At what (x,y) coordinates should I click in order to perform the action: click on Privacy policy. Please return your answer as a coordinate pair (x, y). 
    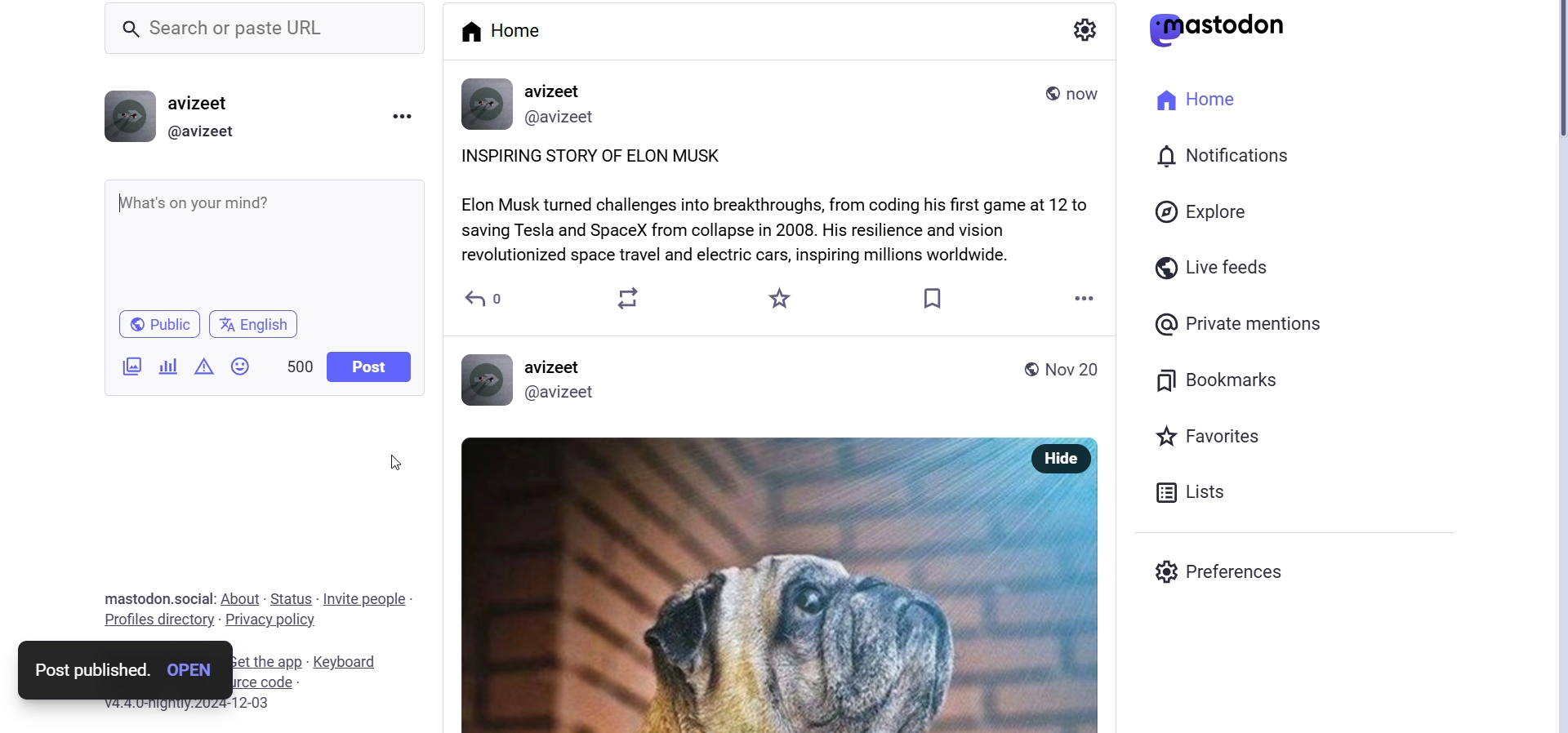
    Looking at the image, I should click on (274, 622).